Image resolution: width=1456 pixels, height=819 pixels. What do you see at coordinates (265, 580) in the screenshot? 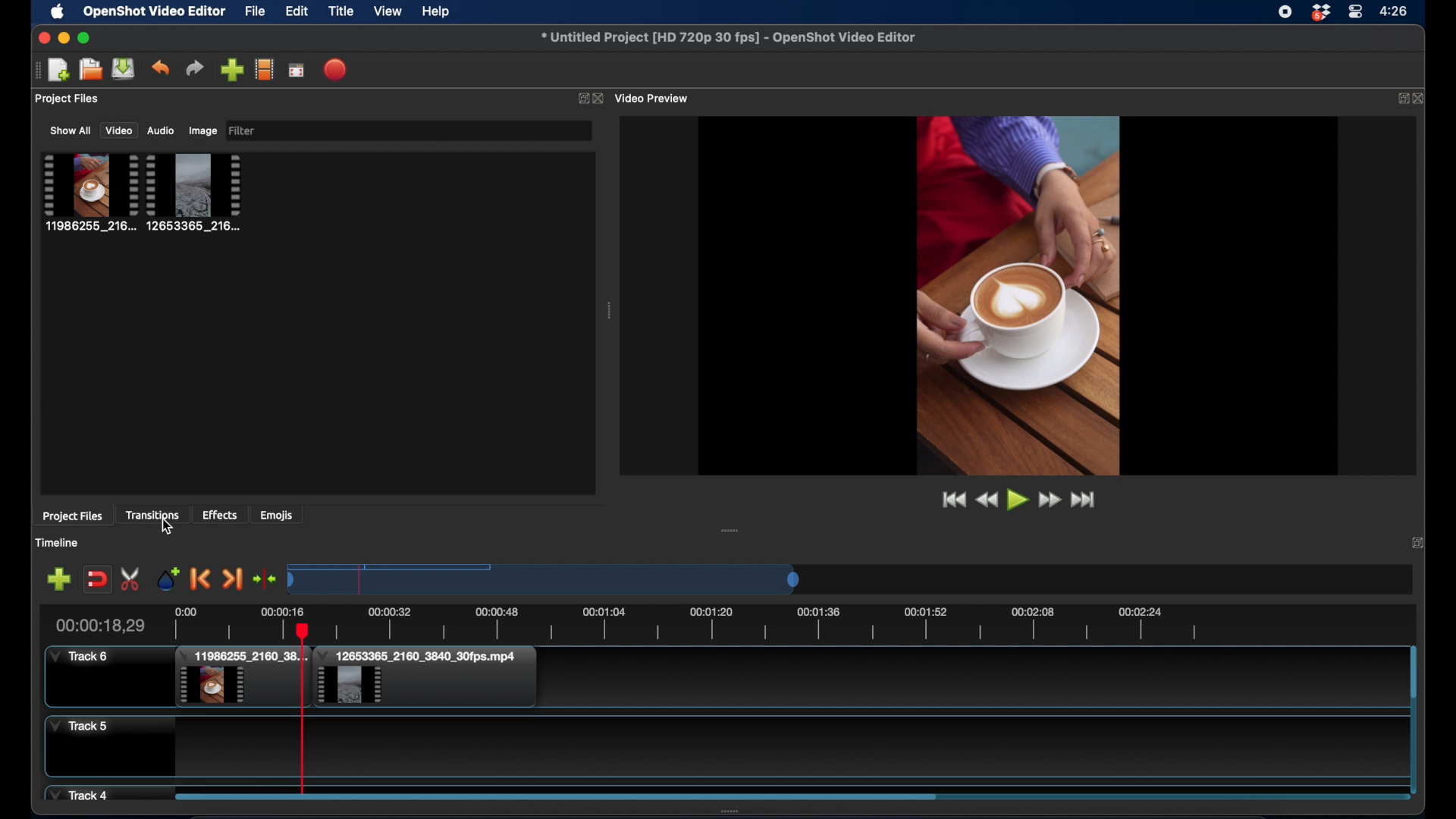
I see `center the timeline playhead` at bounding box center [265, 580].